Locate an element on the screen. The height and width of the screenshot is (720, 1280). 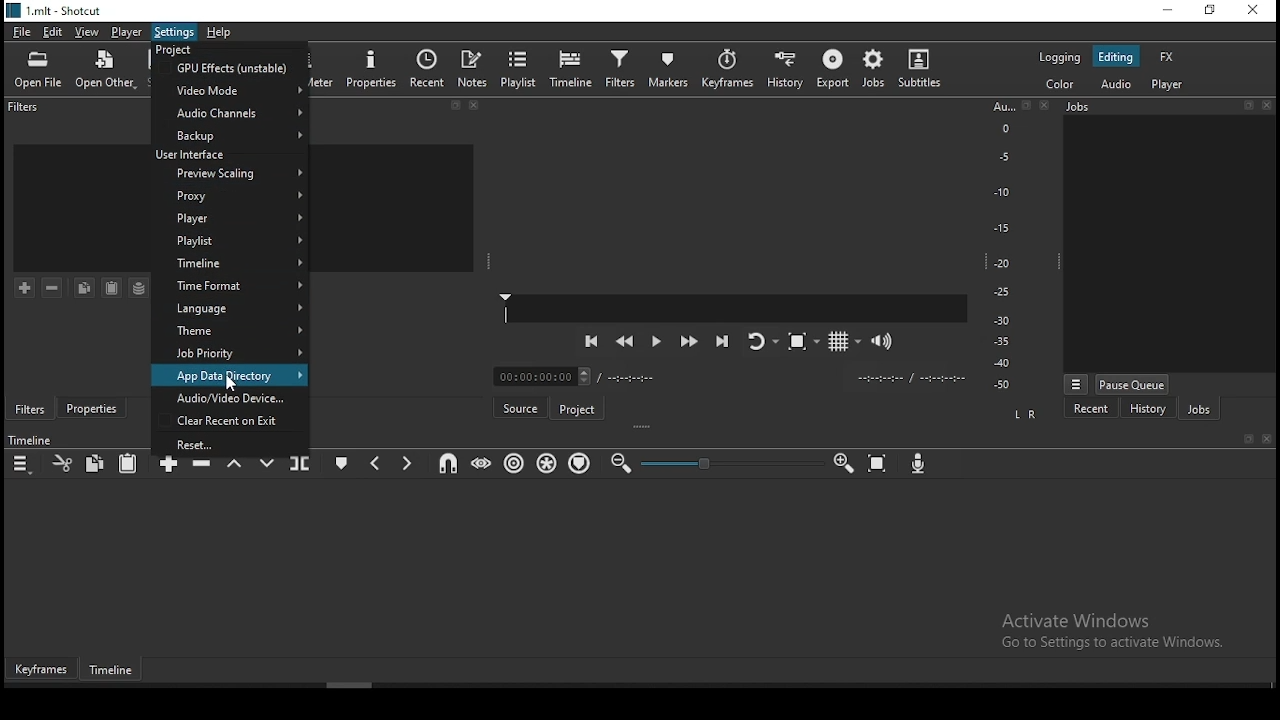
Timer is located at coordinates (732, 376).